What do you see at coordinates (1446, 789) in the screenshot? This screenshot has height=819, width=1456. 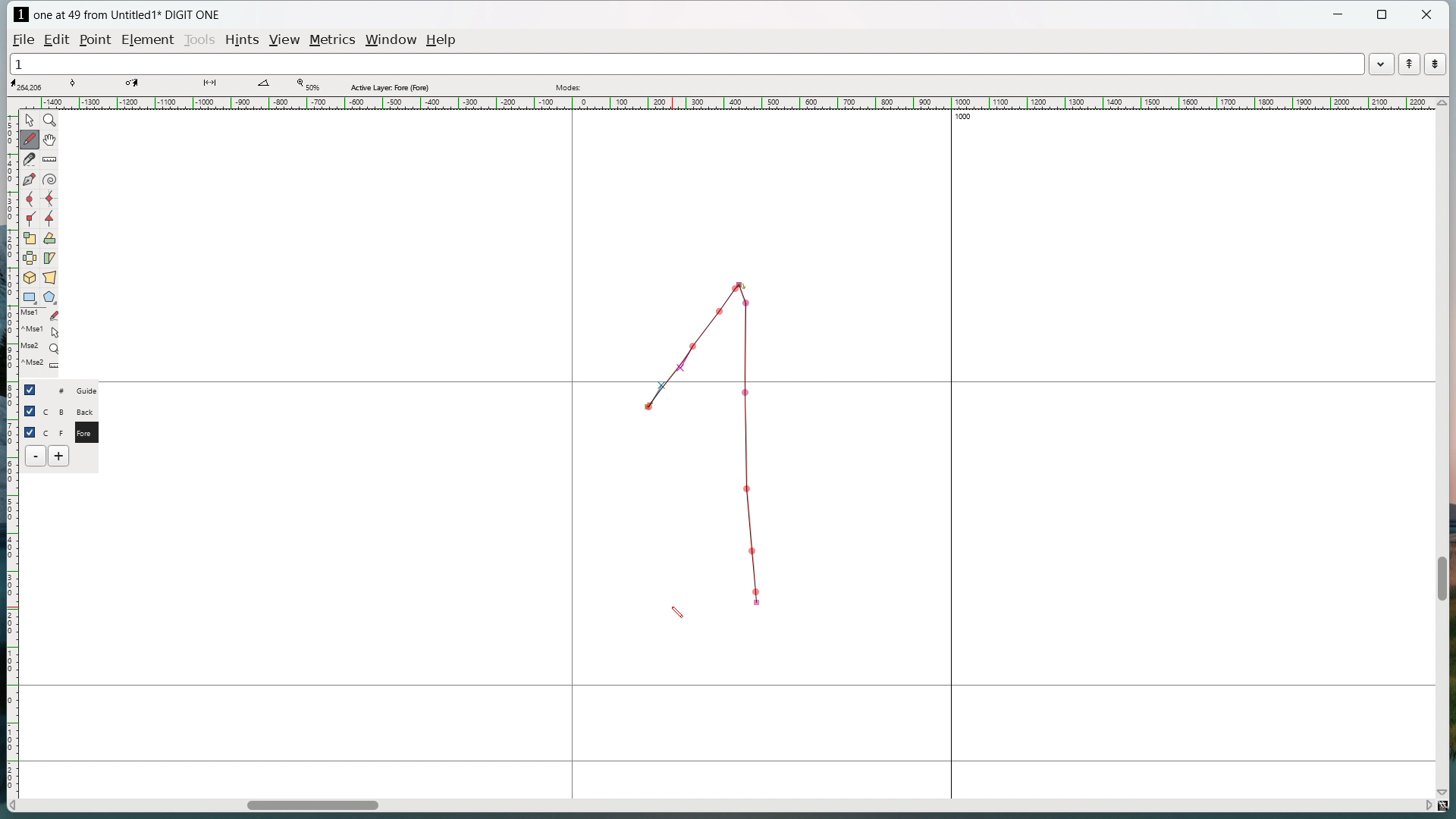 I see `scroll down` at bounding box center [1446, 789].